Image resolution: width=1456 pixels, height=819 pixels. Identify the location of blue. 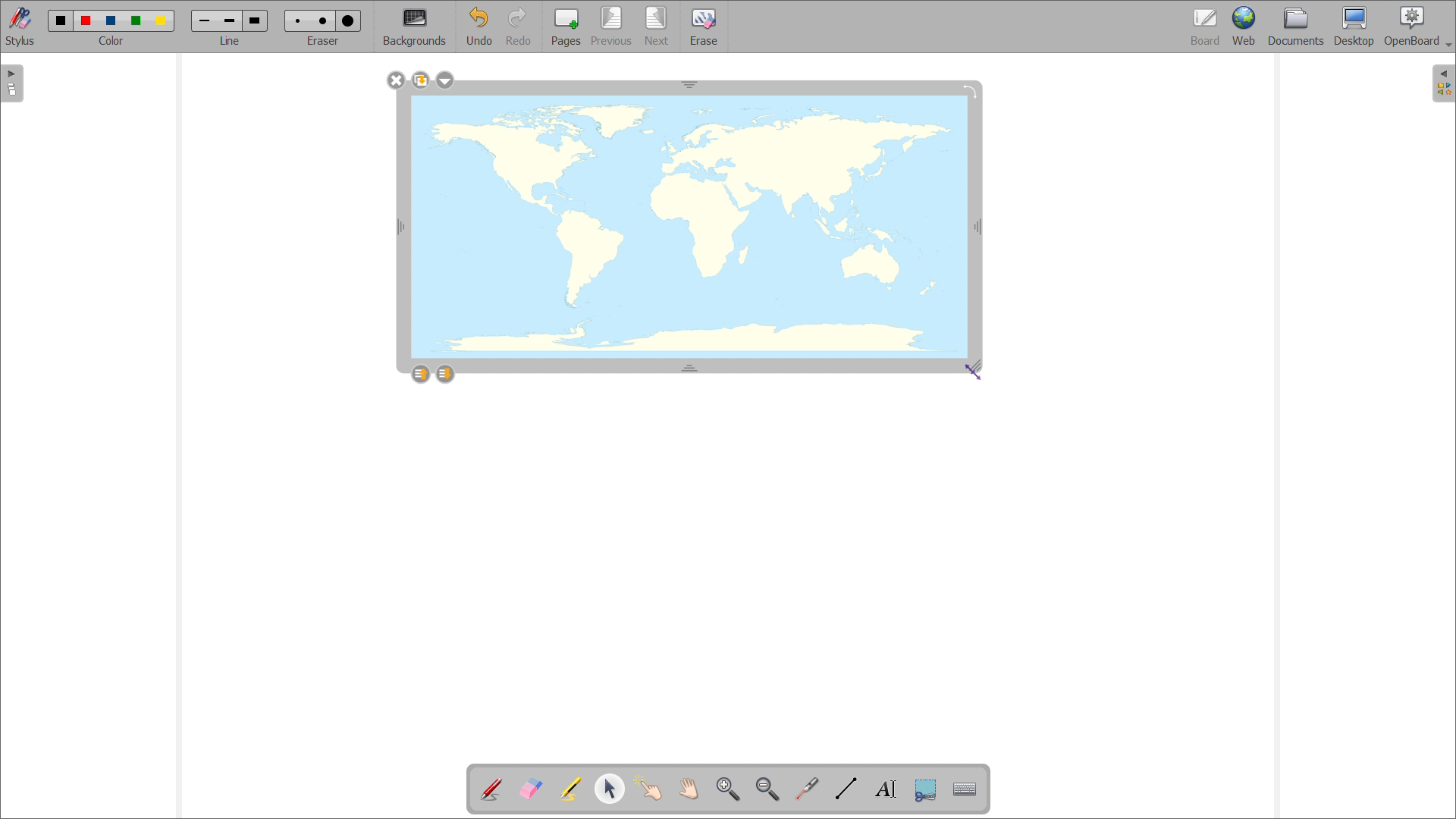
(112, 20).